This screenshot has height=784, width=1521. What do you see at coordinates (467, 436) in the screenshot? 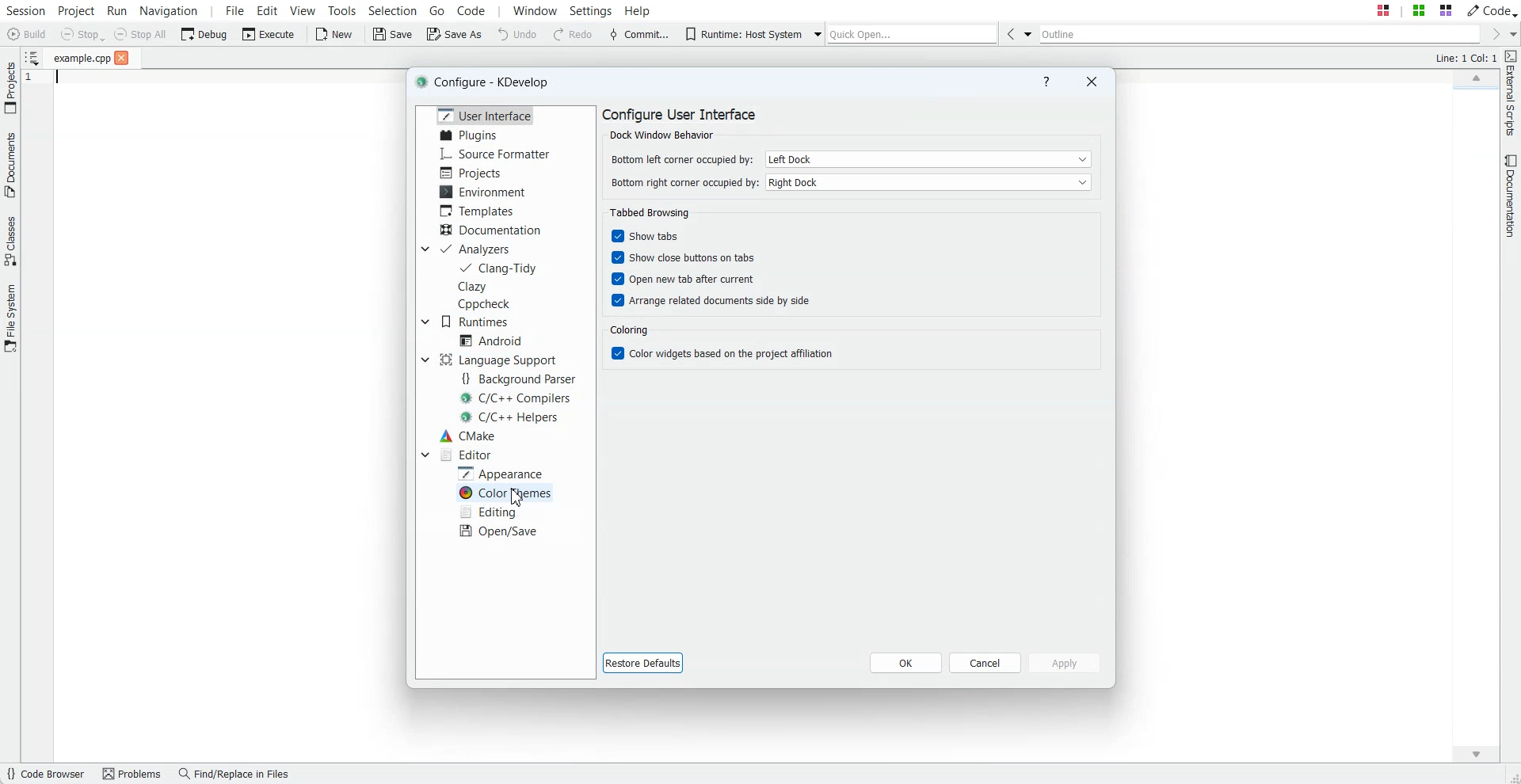
I see `CMake` at bounding box center [467, 436].